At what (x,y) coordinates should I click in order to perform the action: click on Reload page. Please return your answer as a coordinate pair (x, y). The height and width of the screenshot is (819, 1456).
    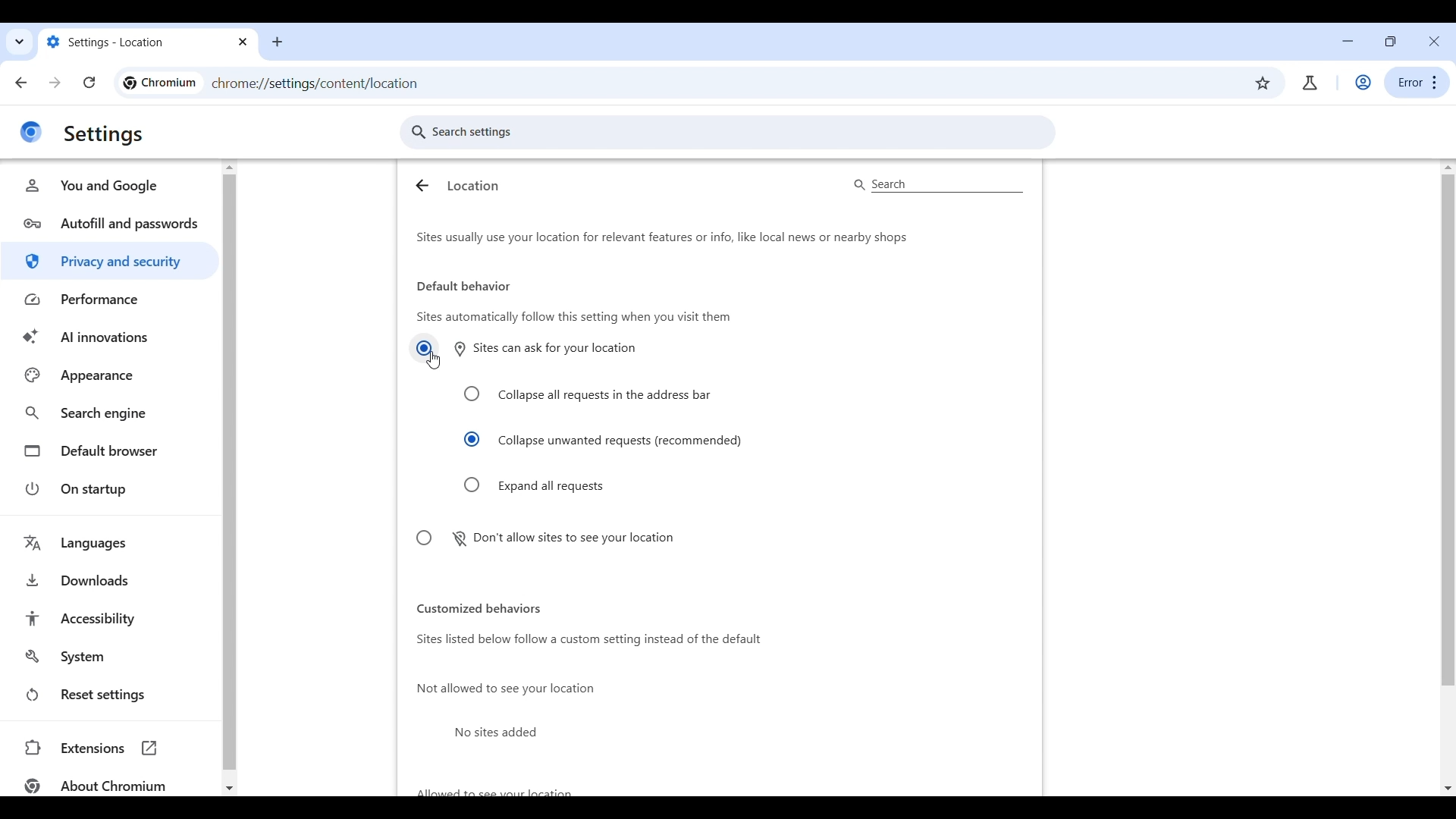
    Looking at the image, I should click on (89, 82).